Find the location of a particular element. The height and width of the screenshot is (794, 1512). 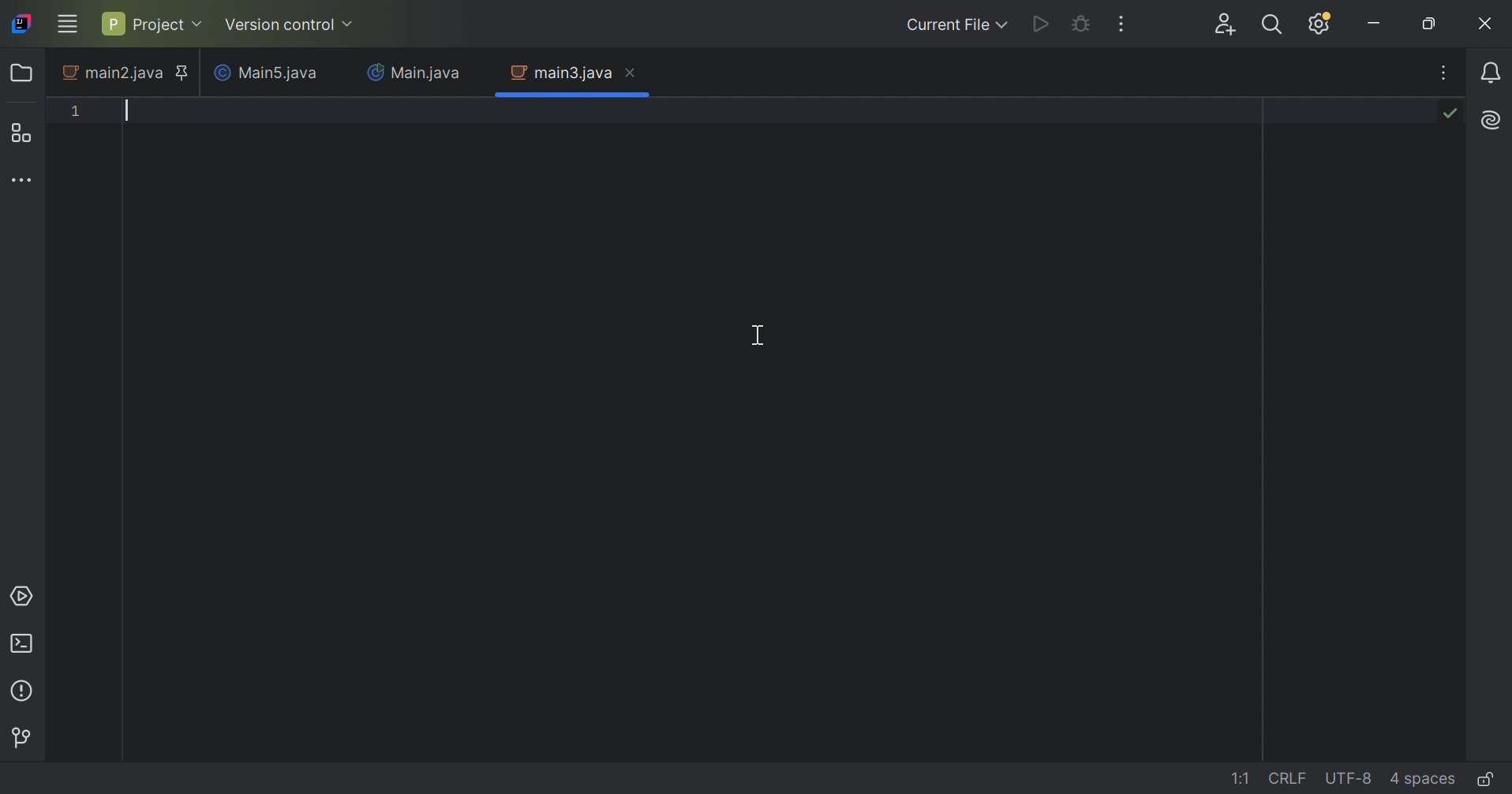

Version control is located at coordinates (286, 26).